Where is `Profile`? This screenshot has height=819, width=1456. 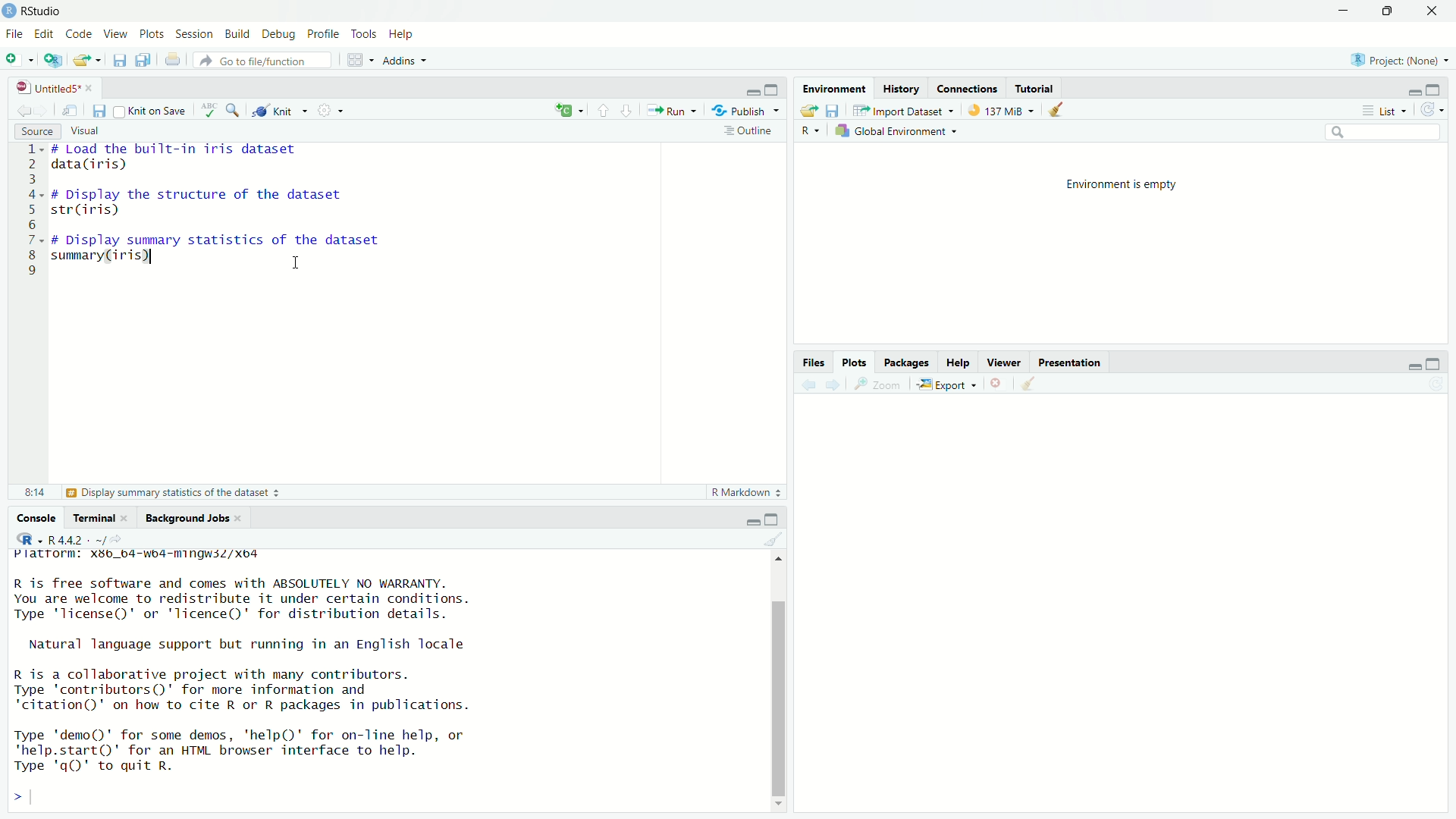
Profile is located at coordinates (325, 33).